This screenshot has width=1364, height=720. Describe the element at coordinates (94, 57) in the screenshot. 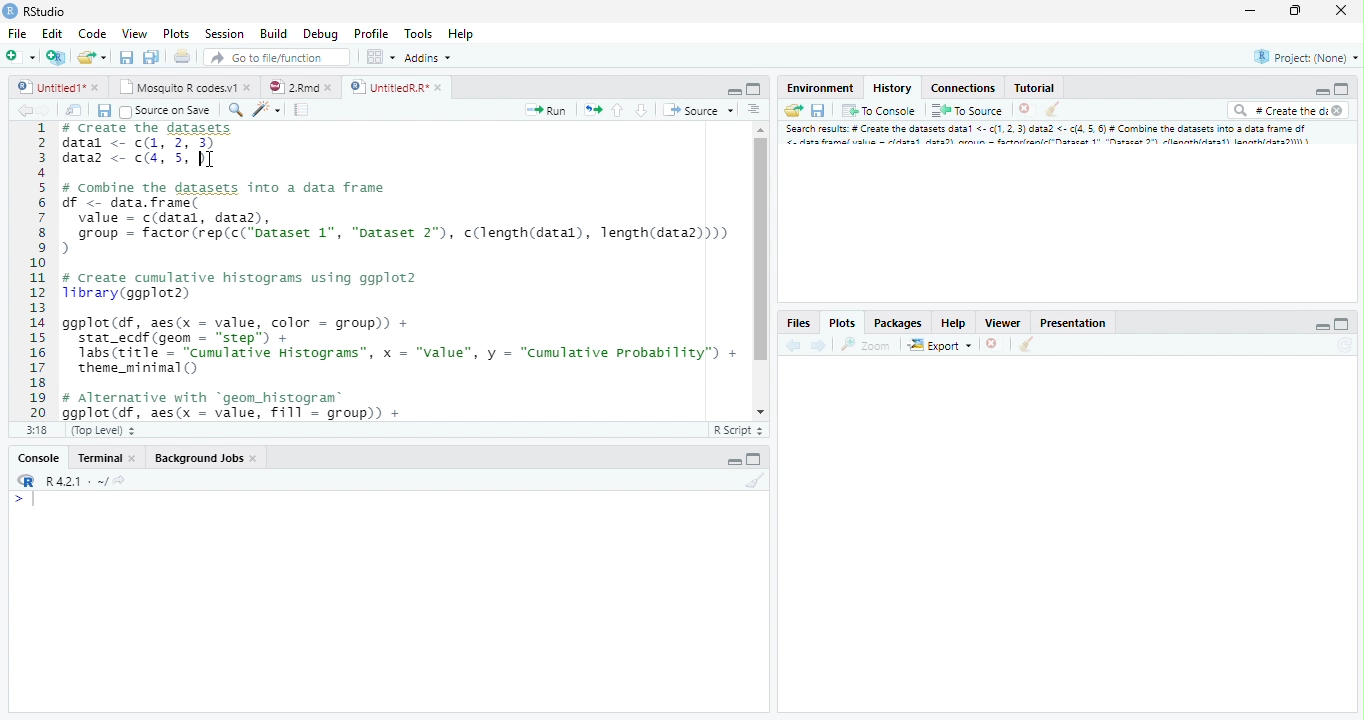

I see `Create a new file` at that location.